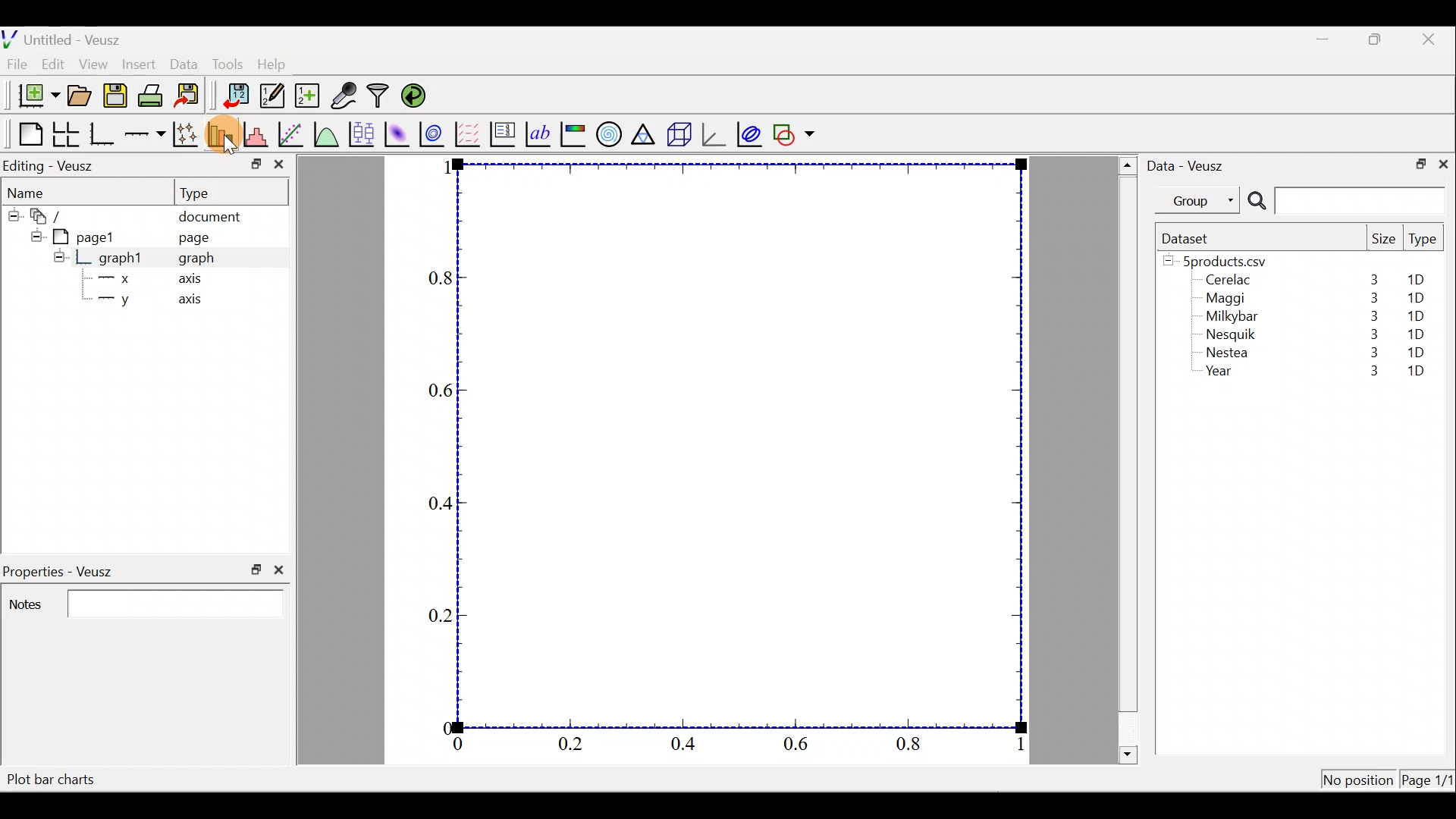 This screenshot has width=1456, height=819. Describe the element at coordinates (1412, 315) in the screenshot. I see `1D` at that location.